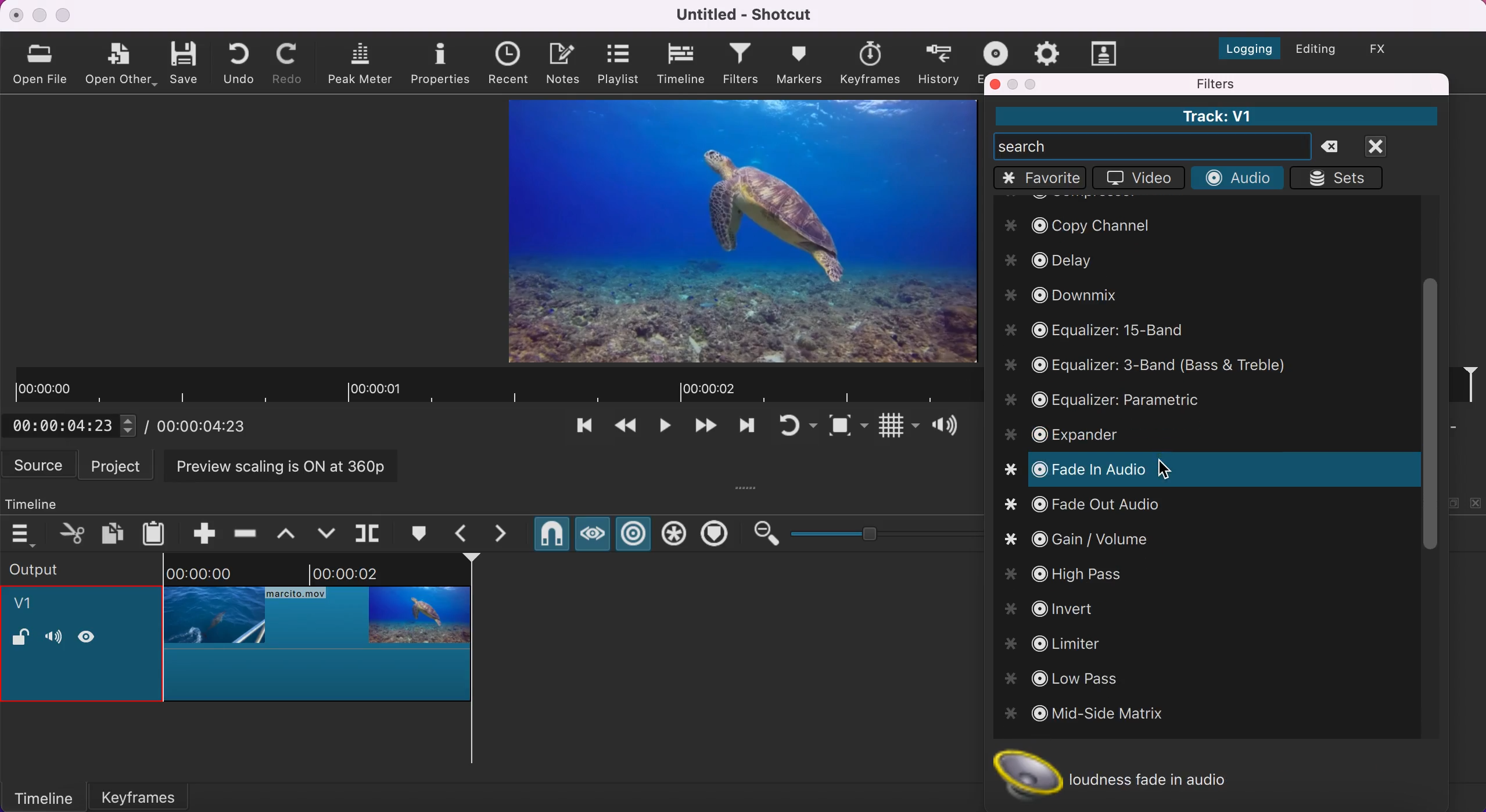 Image resolution: width=1486 pixels, height=812 pixels. Describe the element at coordinates (799, 63) in the screenshot. I see `markers` at that location.